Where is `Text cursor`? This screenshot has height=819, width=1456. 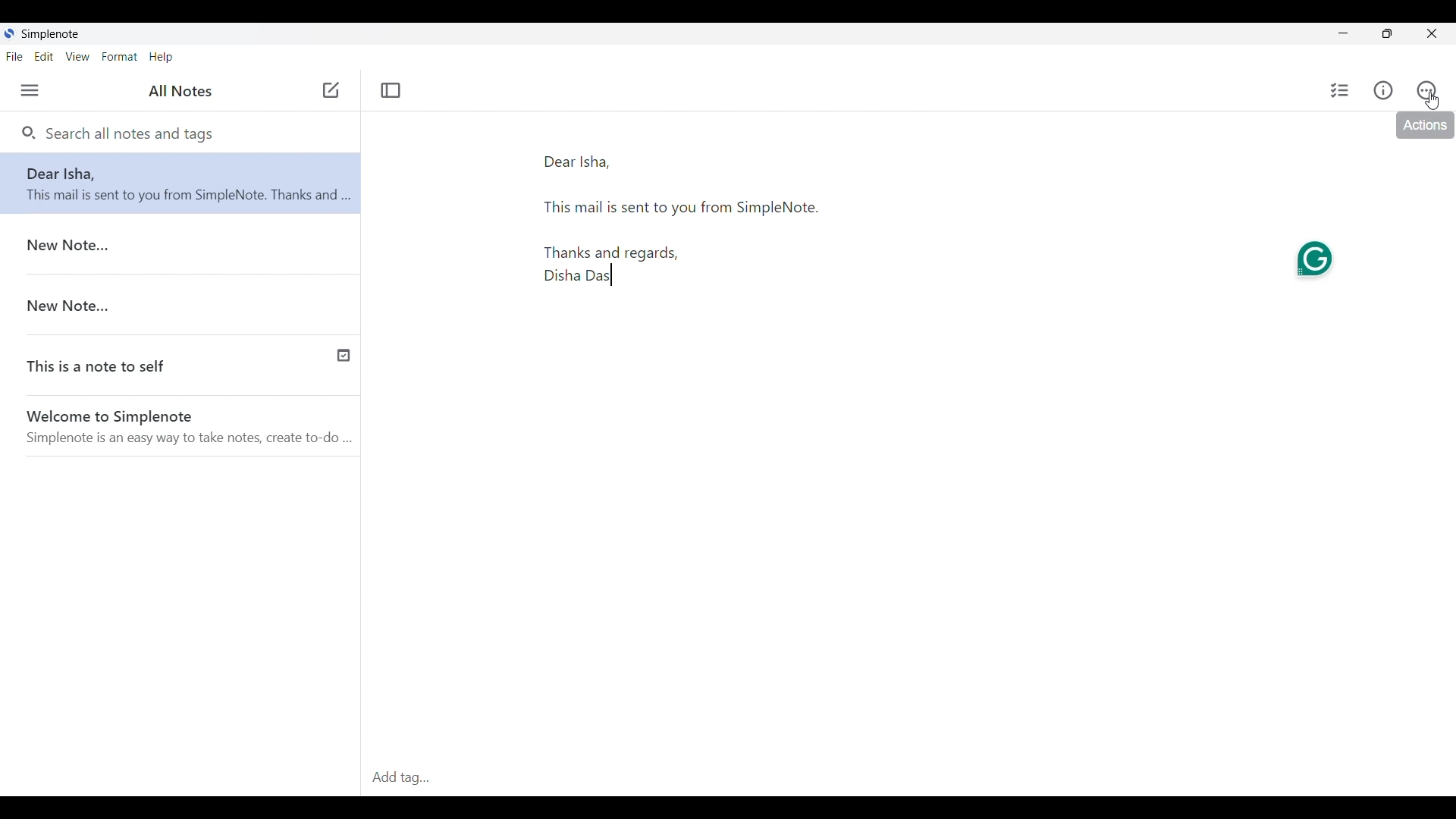 Text cursor is located at coordinates (620, 281).